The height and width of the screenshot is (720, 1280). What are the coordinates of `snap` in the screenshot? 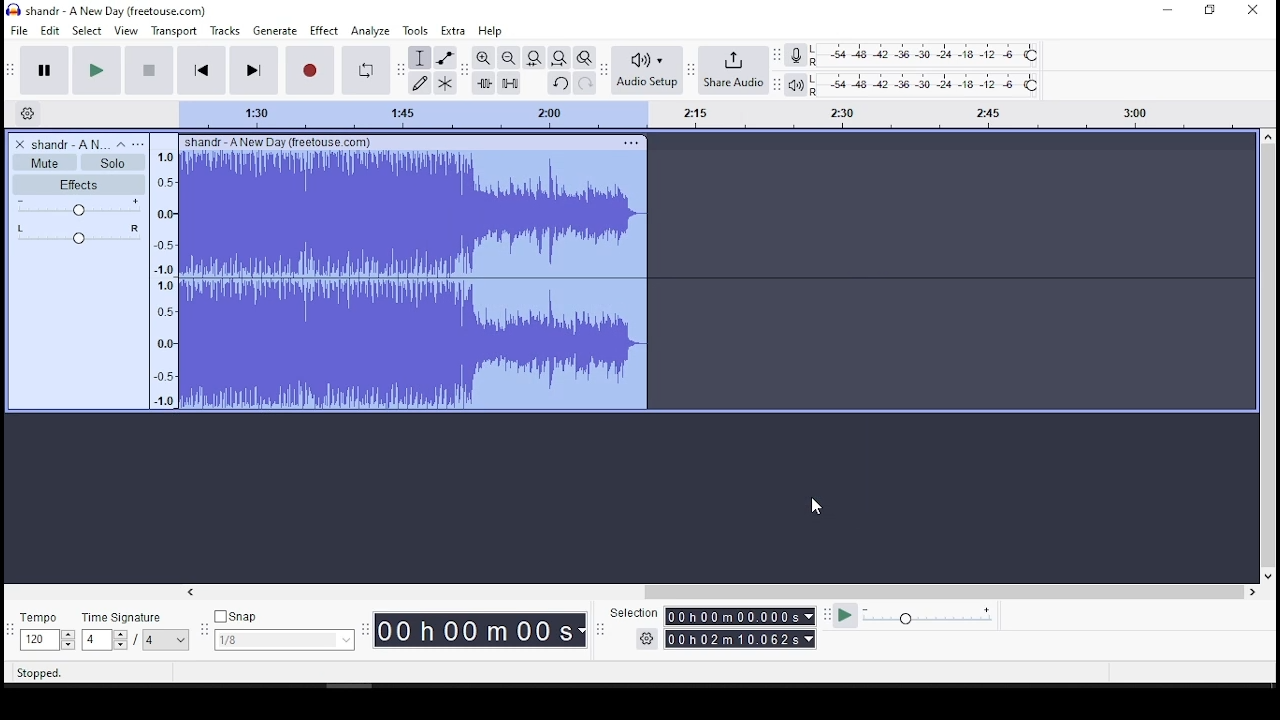 It's located at (283, 631).